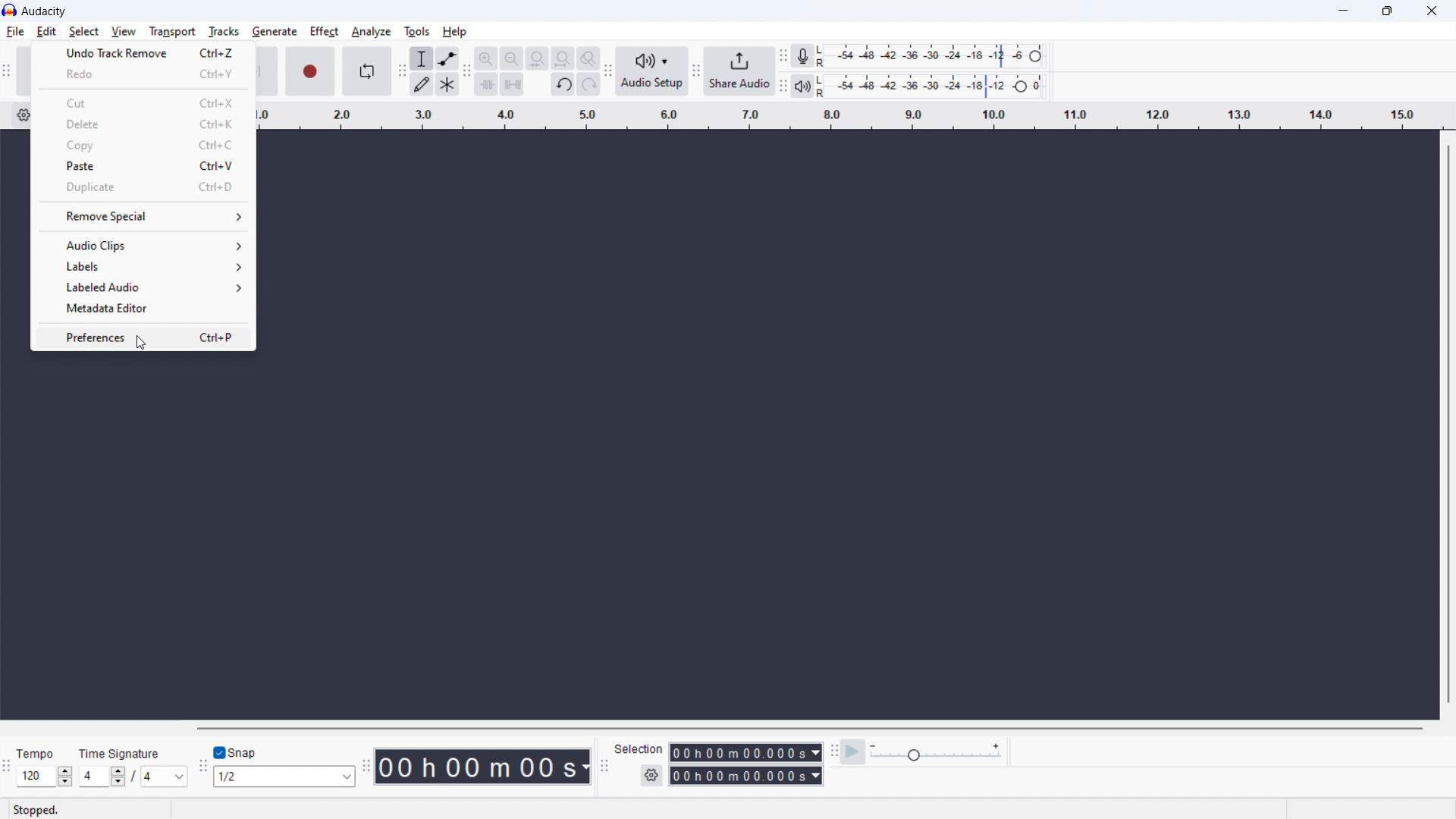 The height and width of the screenshot is (819, 1456). Describe the element at coordinates (141, 343) in the screenshot. I see `Cursor` at that location.